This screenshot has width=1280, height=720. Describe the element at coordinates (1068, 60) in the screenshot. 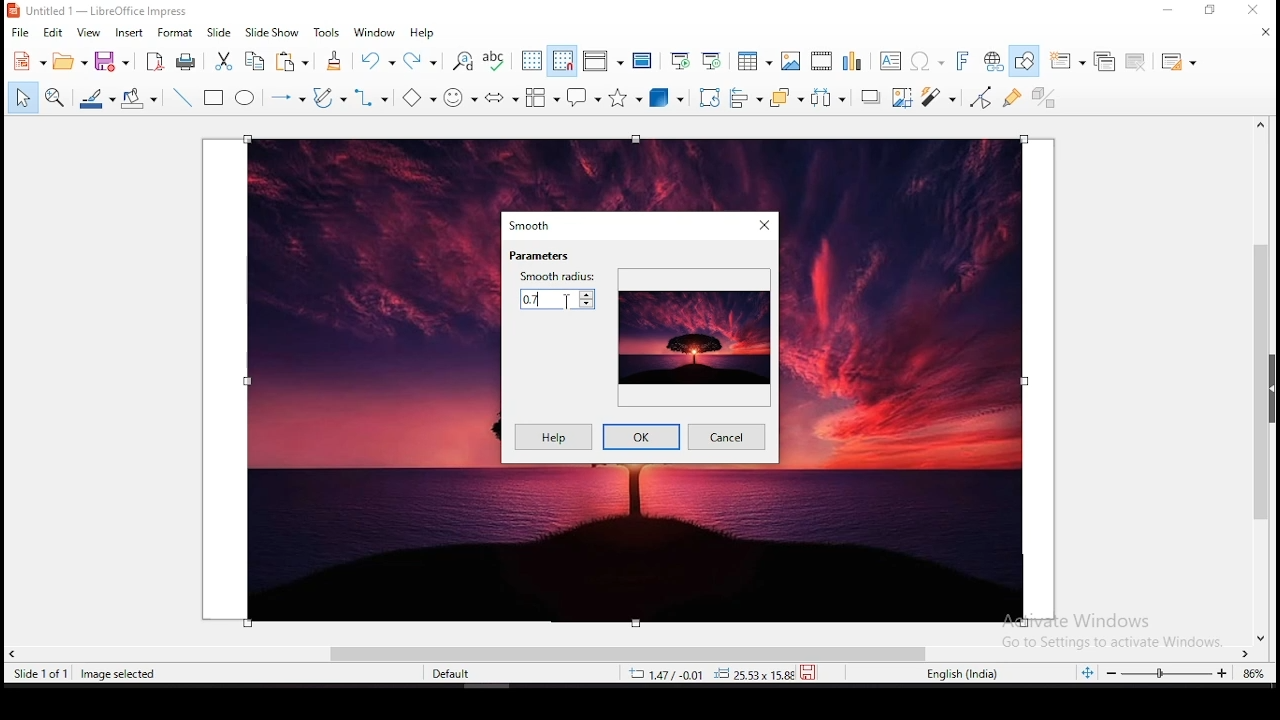

I see `new slide` at that location.